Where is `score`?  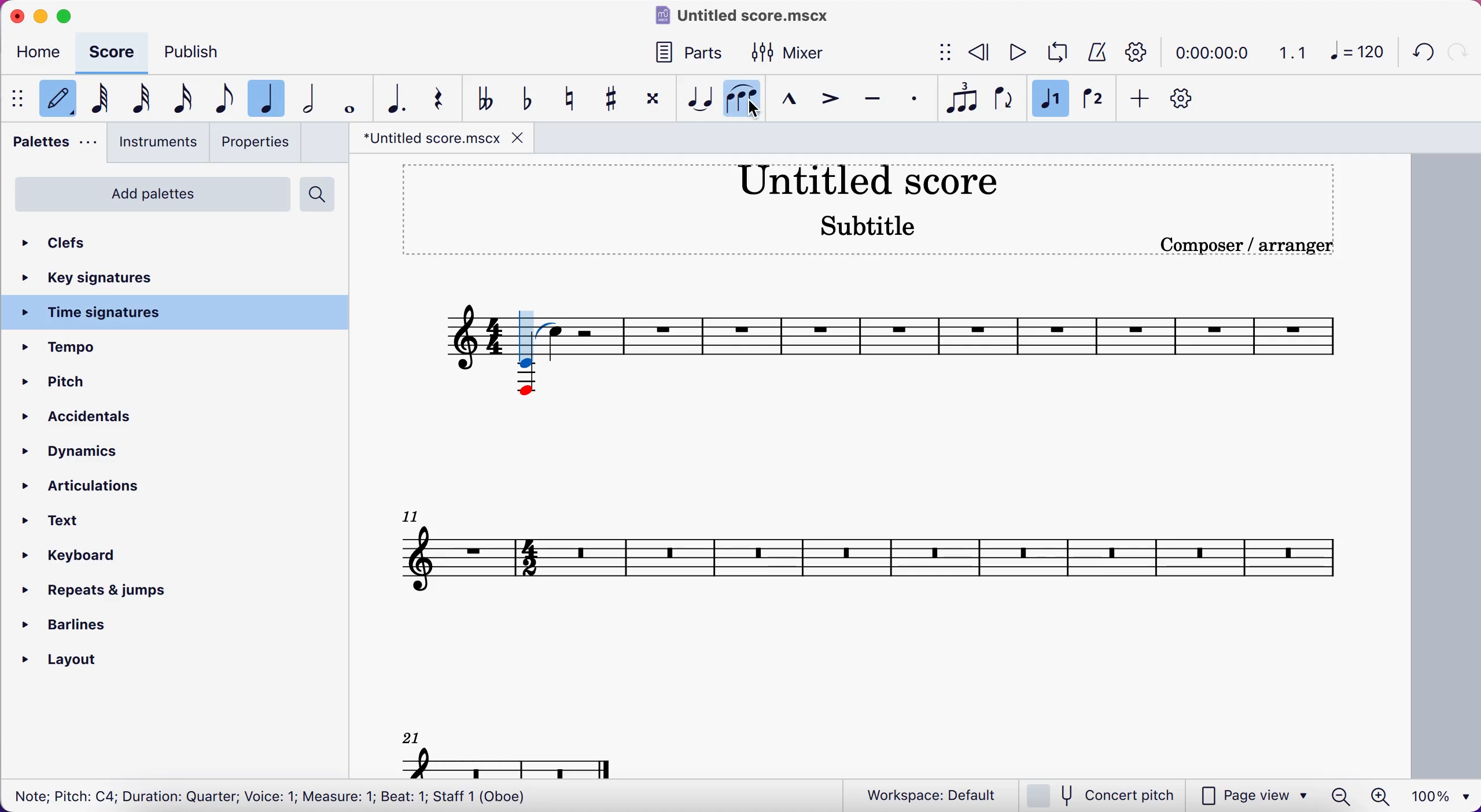 score is located at coordinates (115, 54).